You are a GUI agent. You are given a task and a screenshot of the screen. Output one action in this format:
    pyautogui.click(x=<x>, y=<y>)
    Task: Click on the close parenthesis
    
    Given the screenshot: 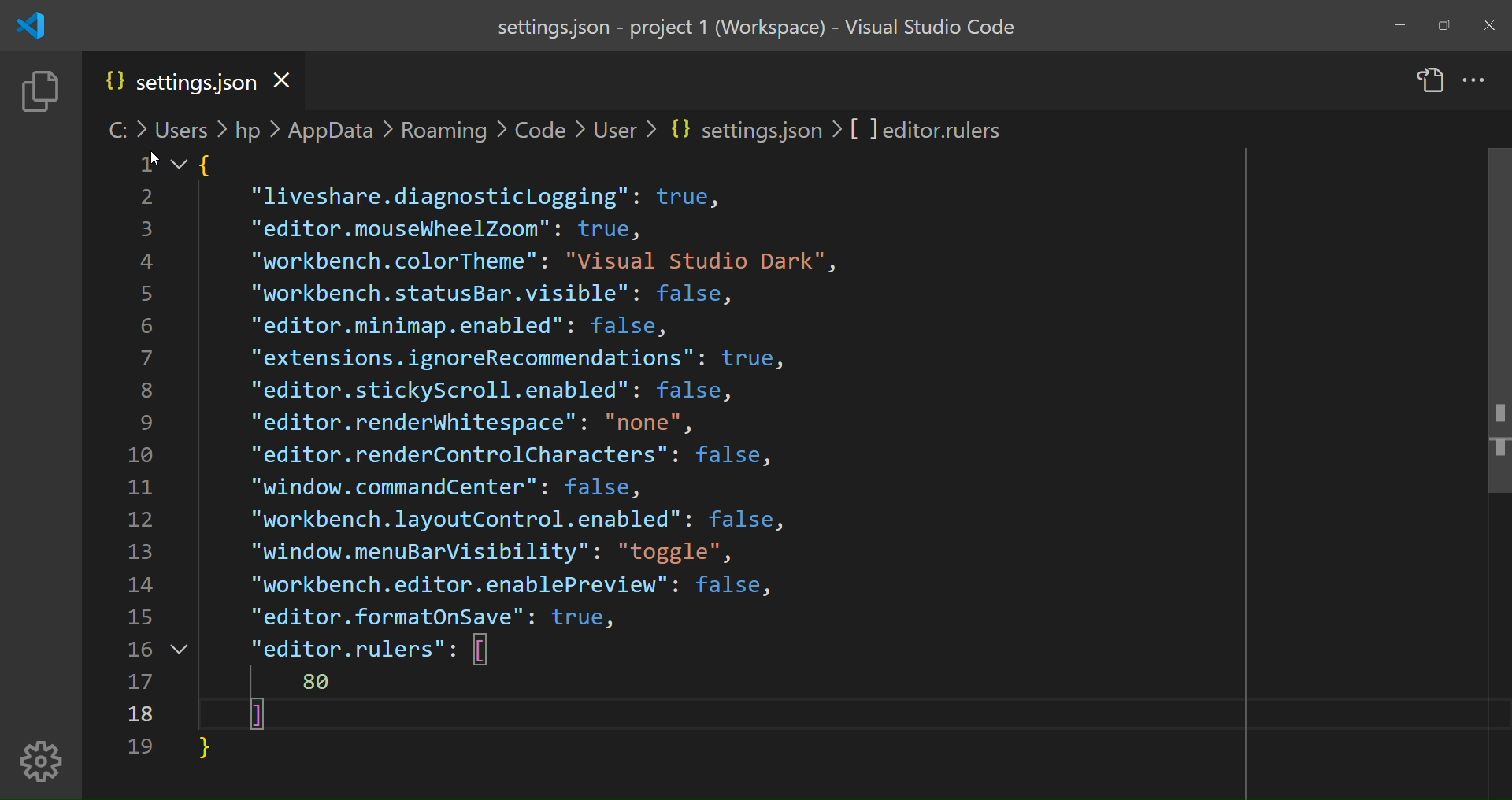 What is the action you would take?
    pyautogui.click(x=203, y=748)
    